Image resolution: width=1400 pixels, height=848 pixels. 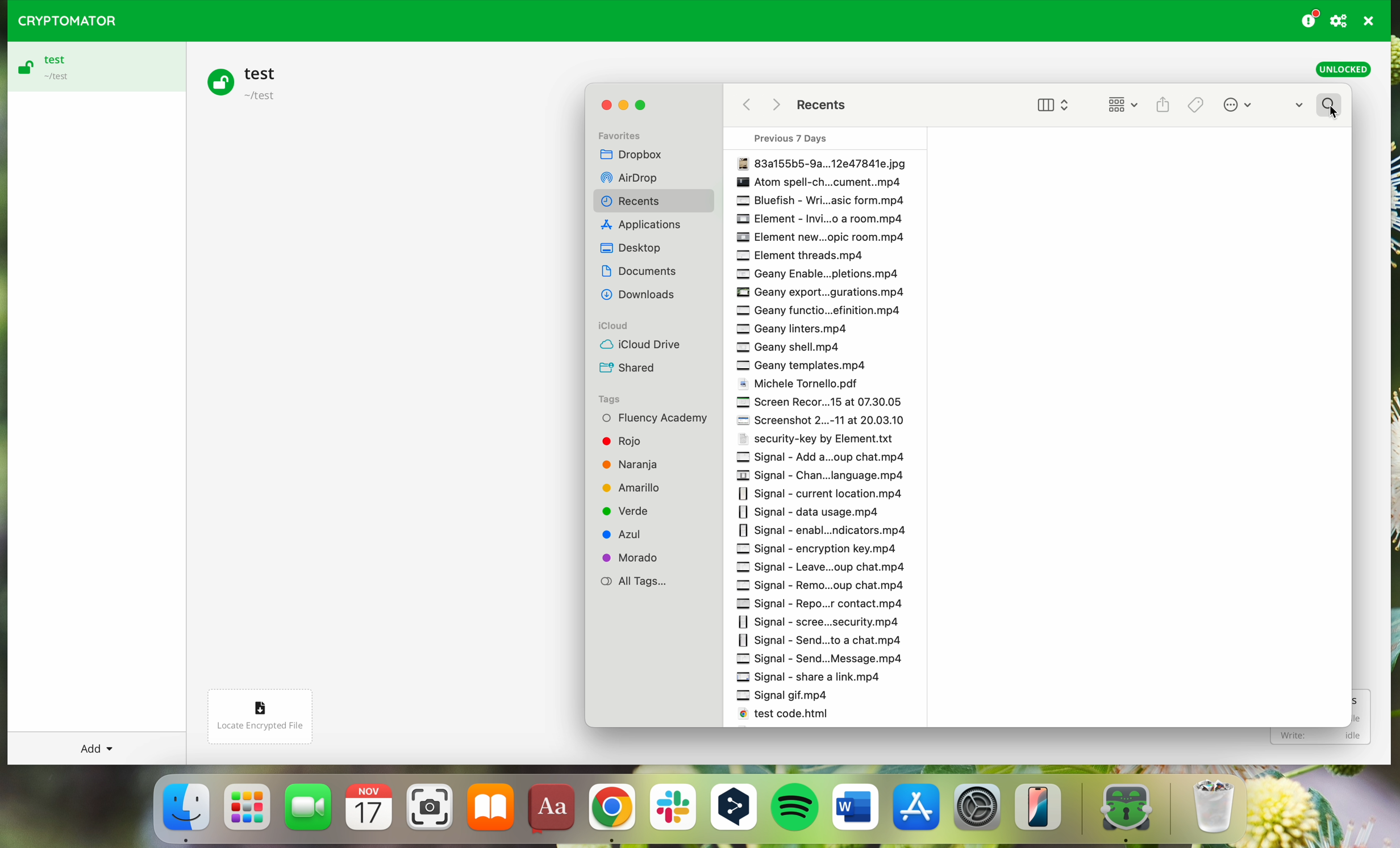 What do you see at coordinates (612, 398) in the screenshot?
I see `Tags` at bounding box center [612, 398].